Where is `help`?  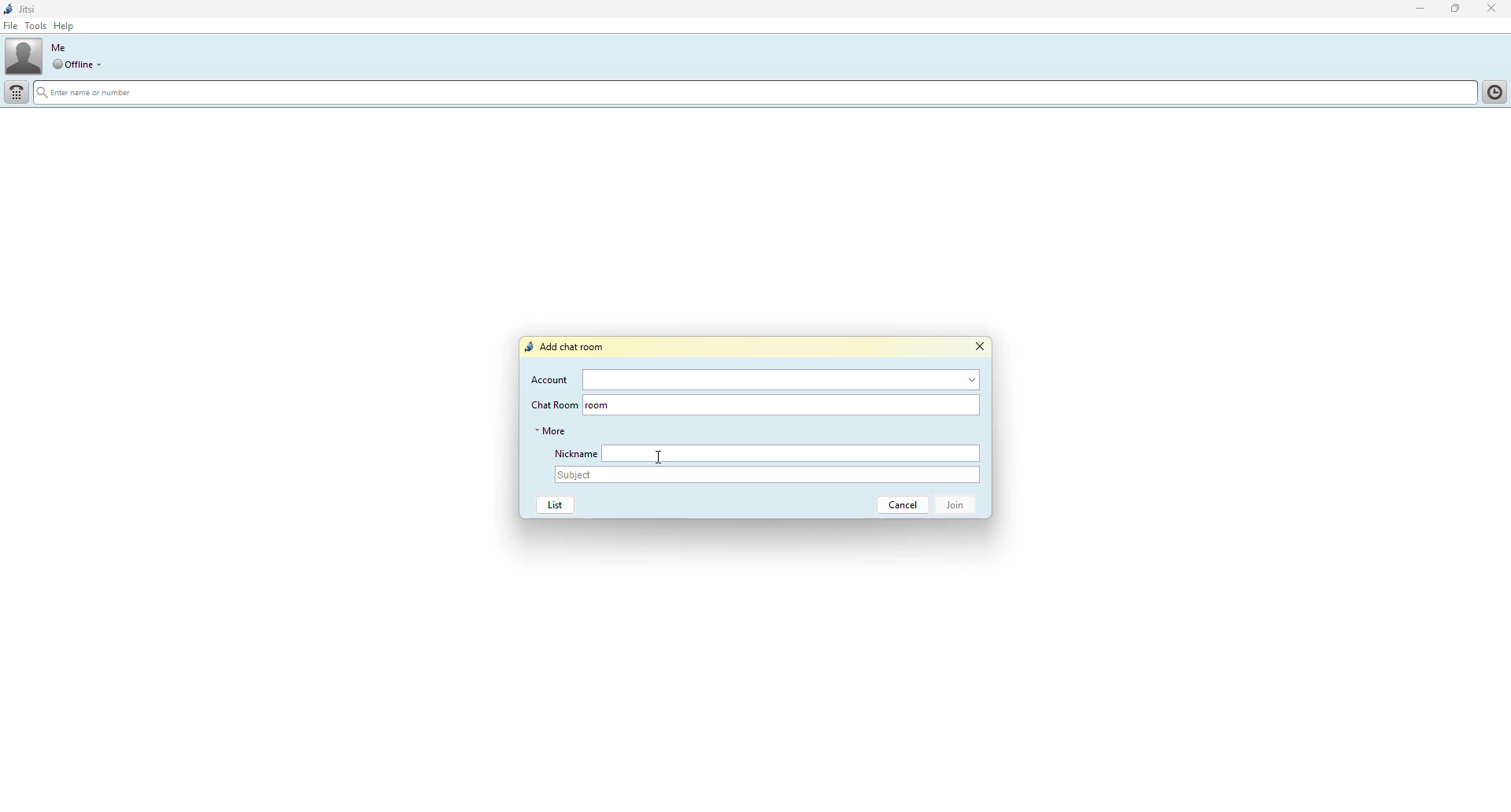
help is located at coordinates (66, 26).